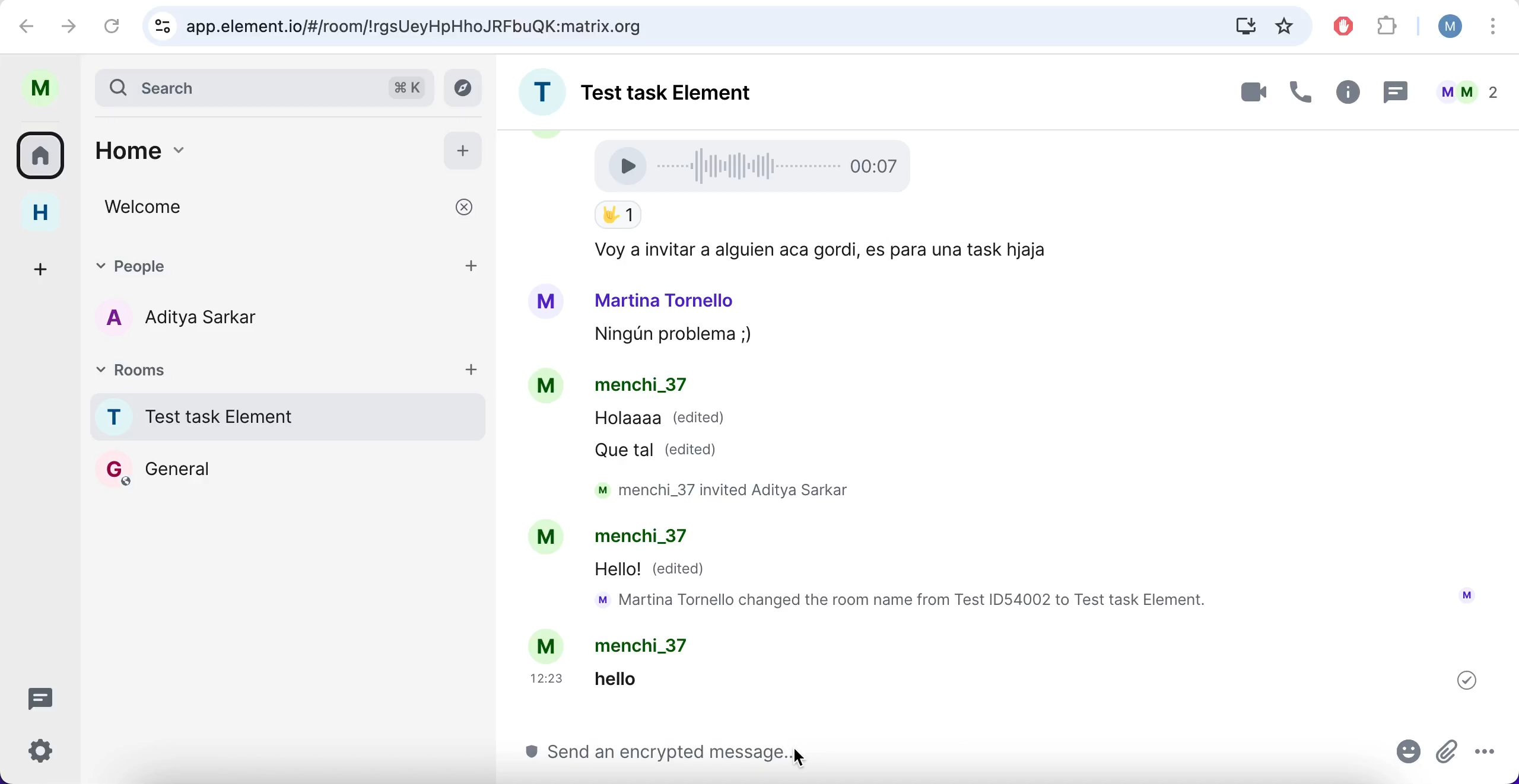  Describe the element at coordinates (1297, 95) in the screenshot. I see `voice call` at that location.